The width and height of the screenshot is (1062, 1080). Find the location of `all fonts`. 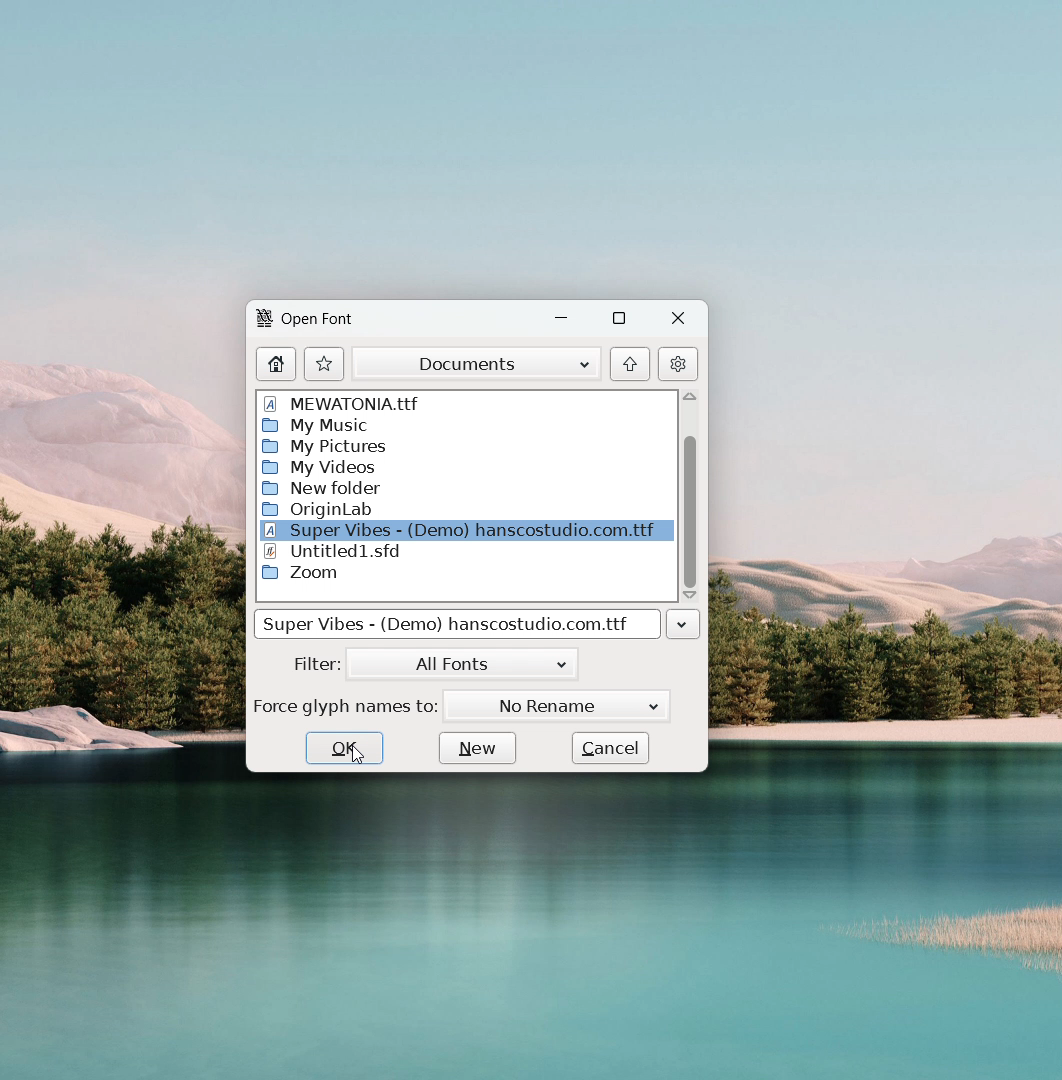

all fonts is located at coordinates (463, 663).